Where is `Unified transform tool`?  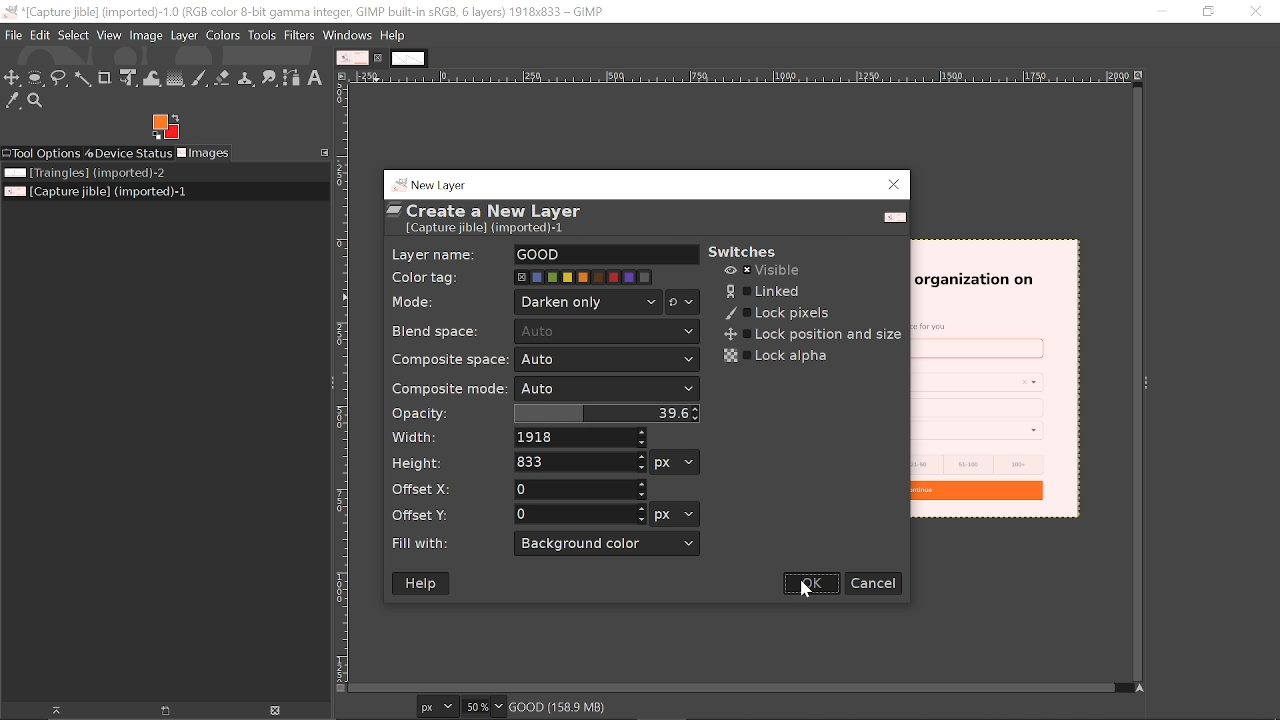
Unified transform tool is located at coordinates (128, 78).